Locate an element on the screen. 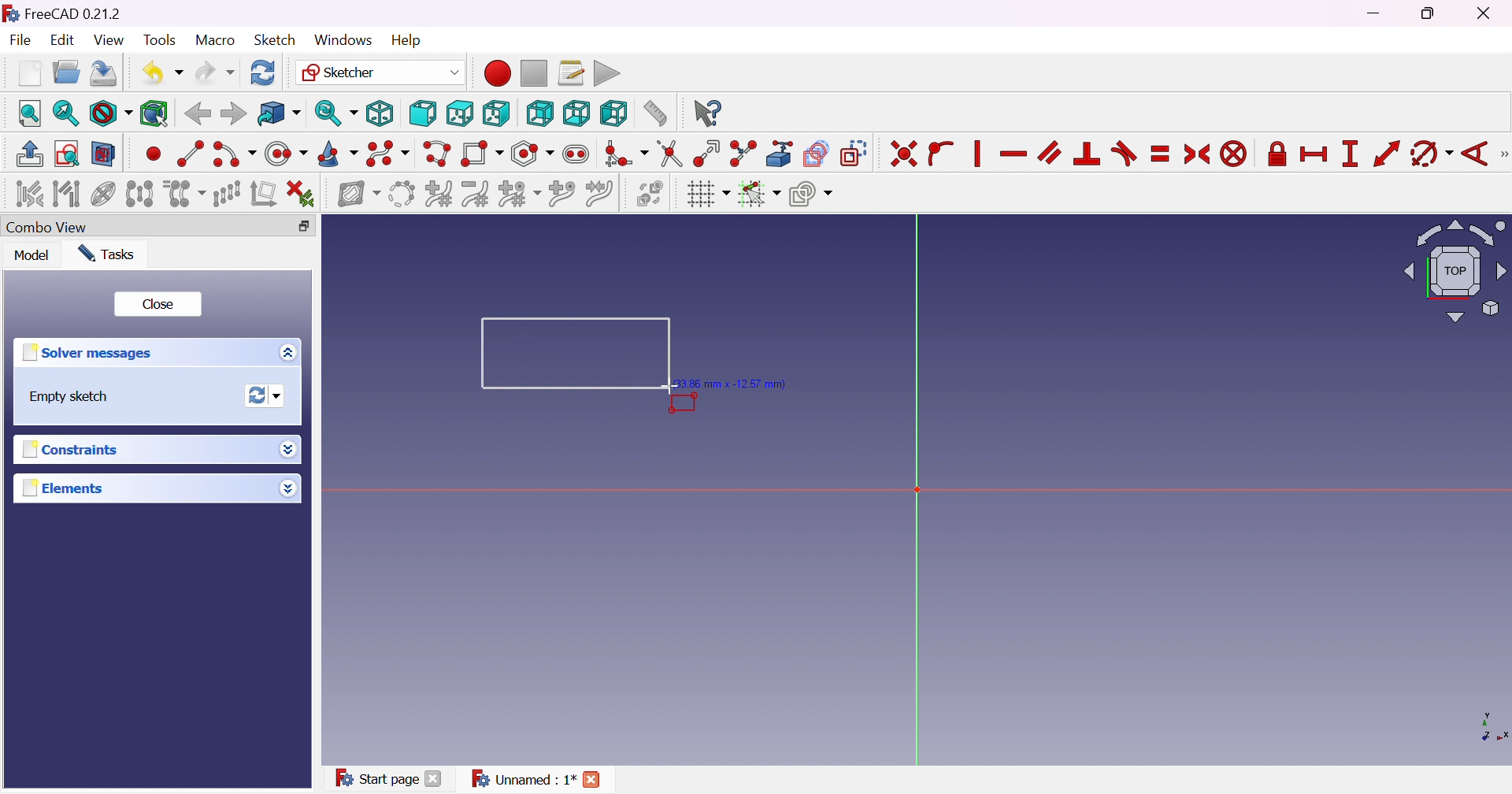 Image resolution: width=1512 pixels, height=794 pixels. Undo is located at coordinates (161, 72).